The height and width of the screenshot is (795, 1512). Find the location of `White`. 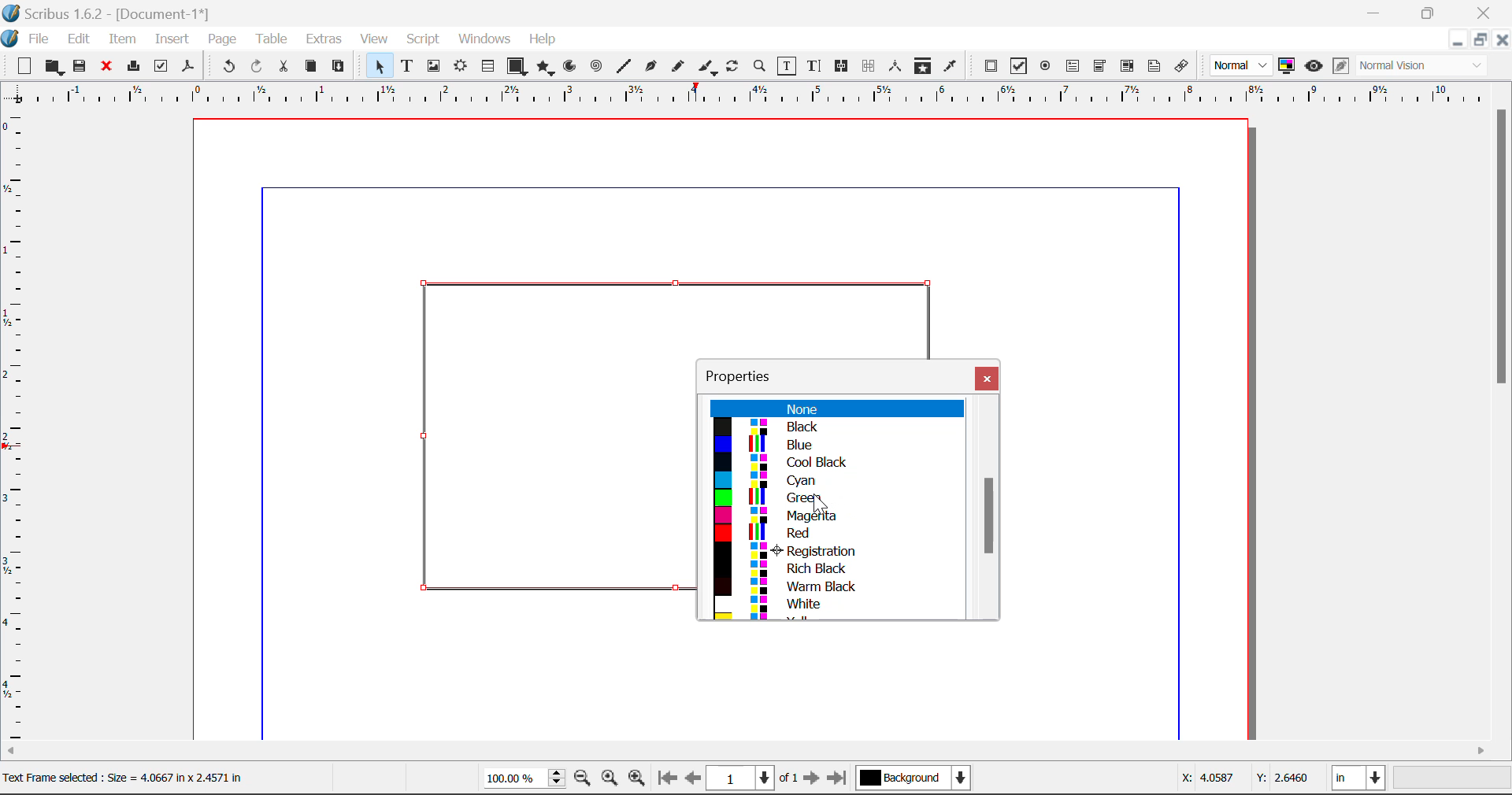

White is located at coordinates (838, 605).